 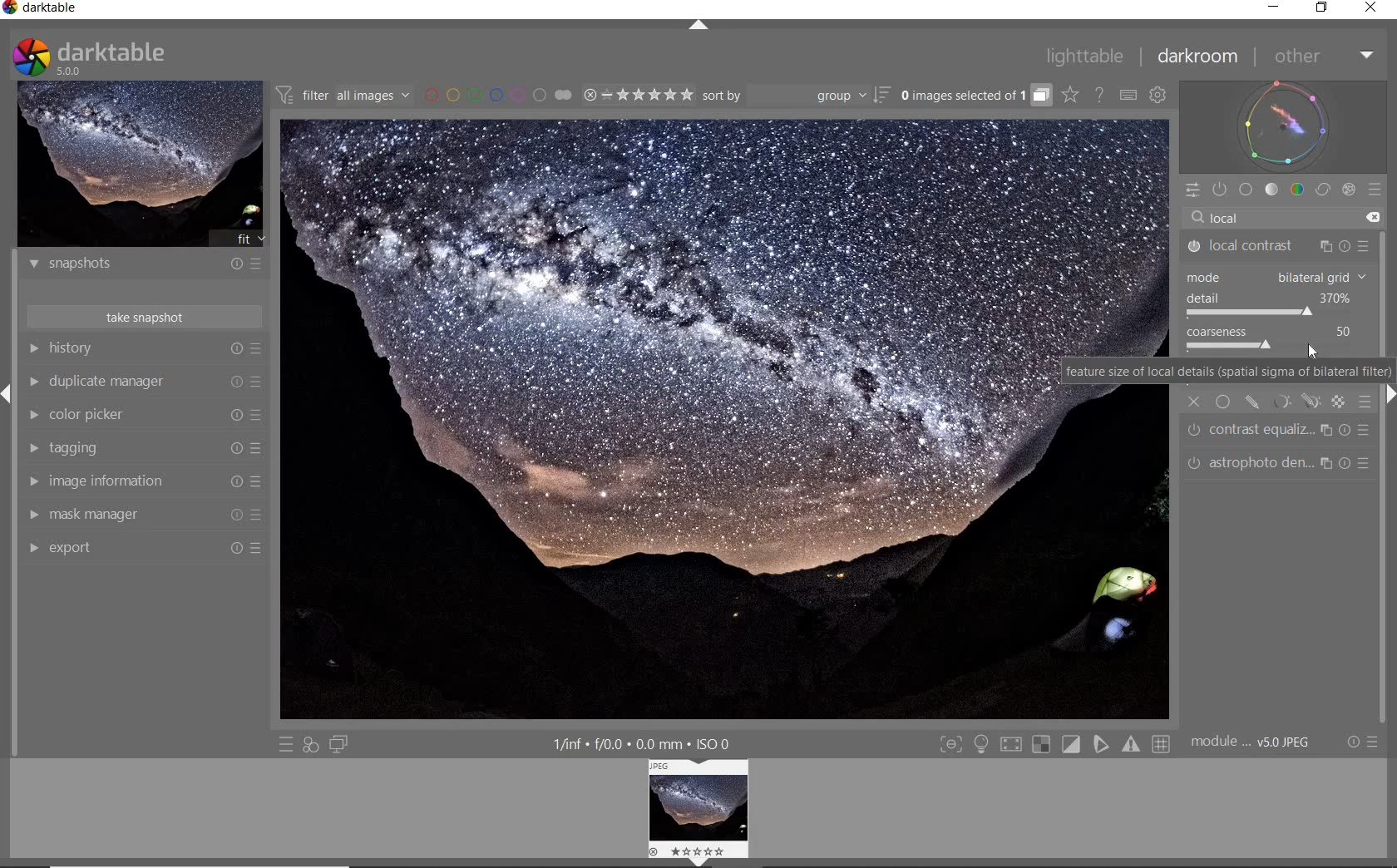 What do you see at coordinates (1189, 247) in the screenshot?
I see `Switched off` at bounding box center [1189, 247].